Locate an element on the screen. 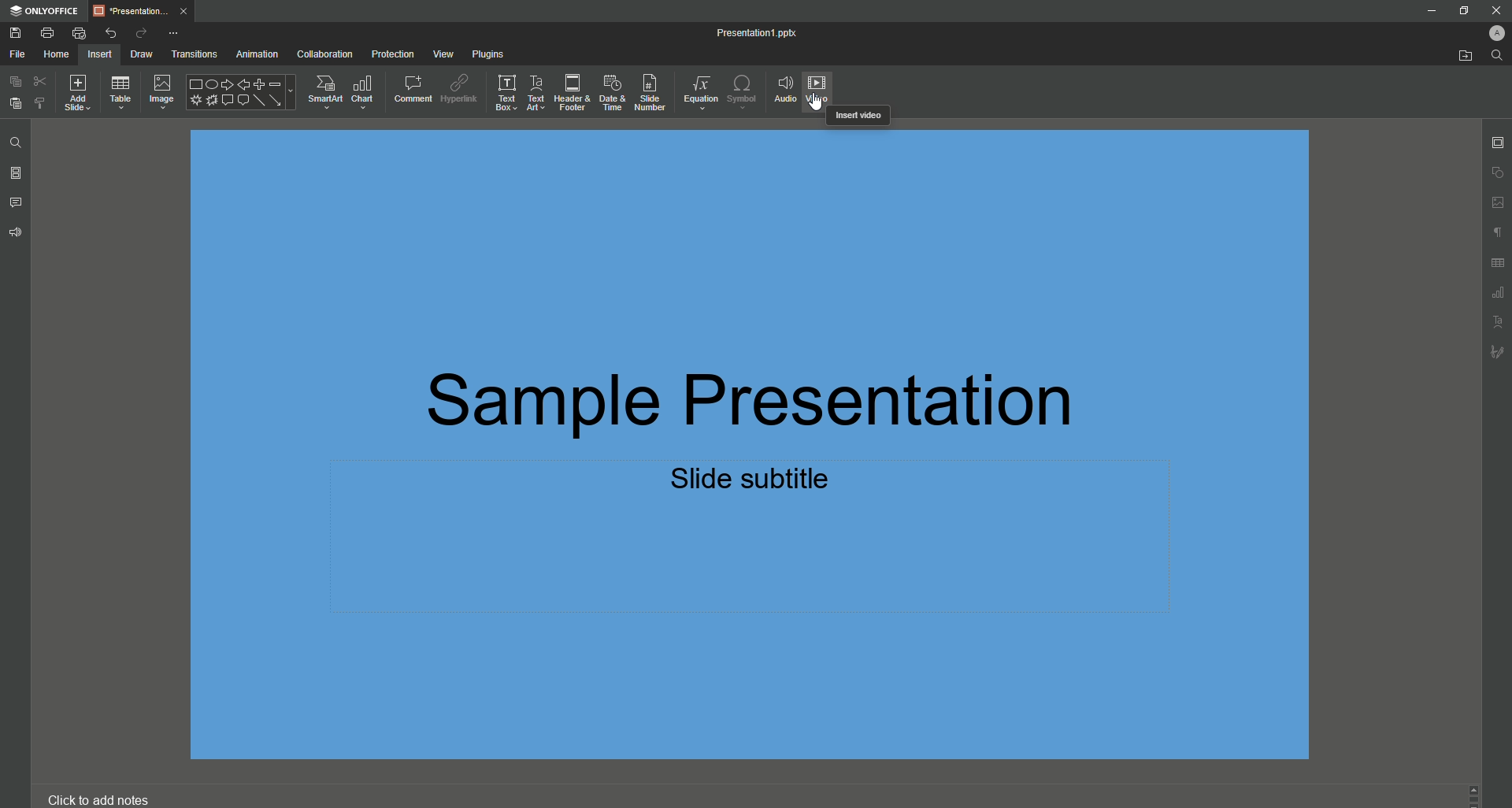  Date and Time is located at coordinates (609, 91).